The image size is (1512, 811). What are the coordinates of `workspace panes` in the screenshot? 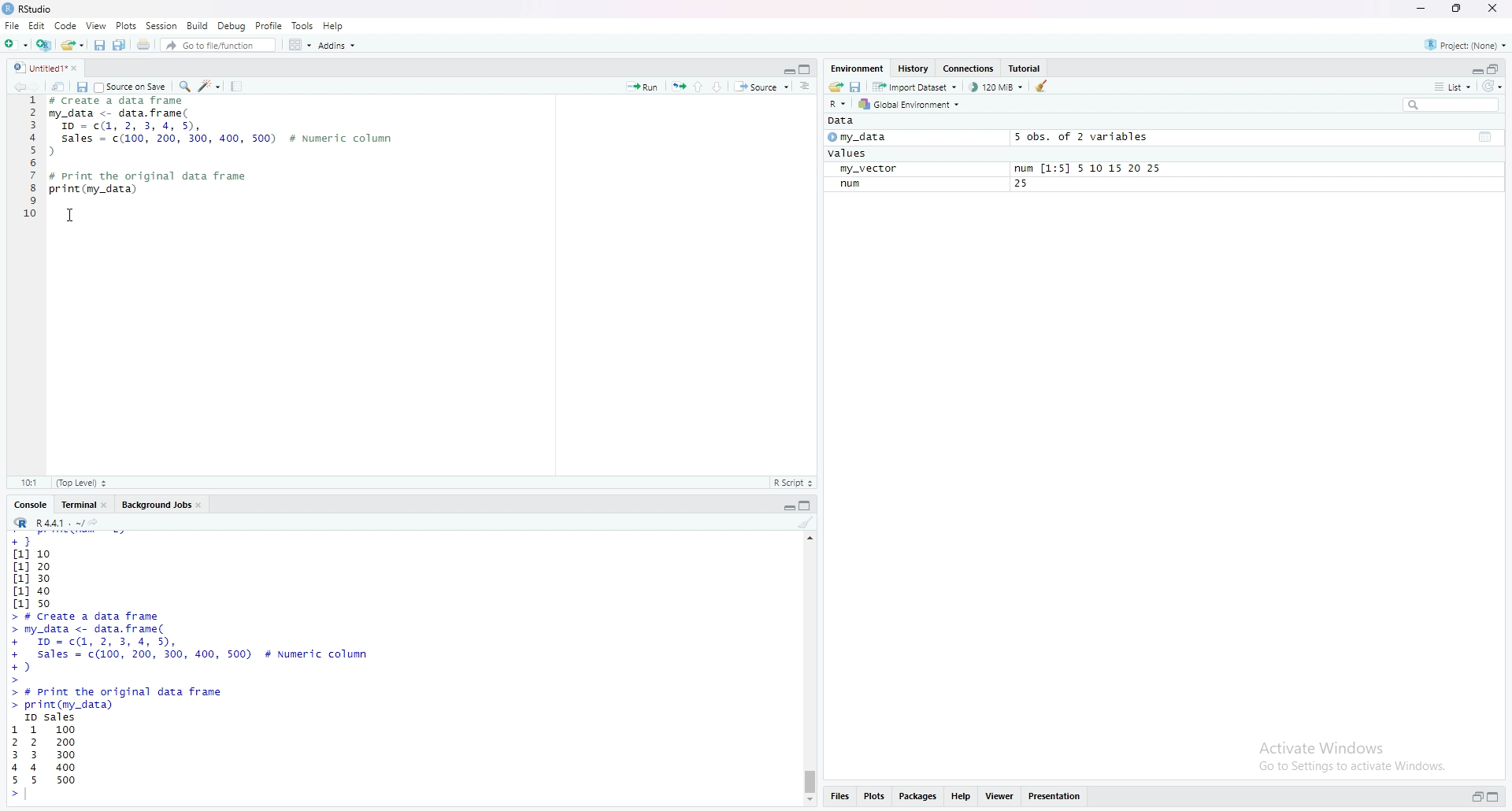 It's located at (297, 46).